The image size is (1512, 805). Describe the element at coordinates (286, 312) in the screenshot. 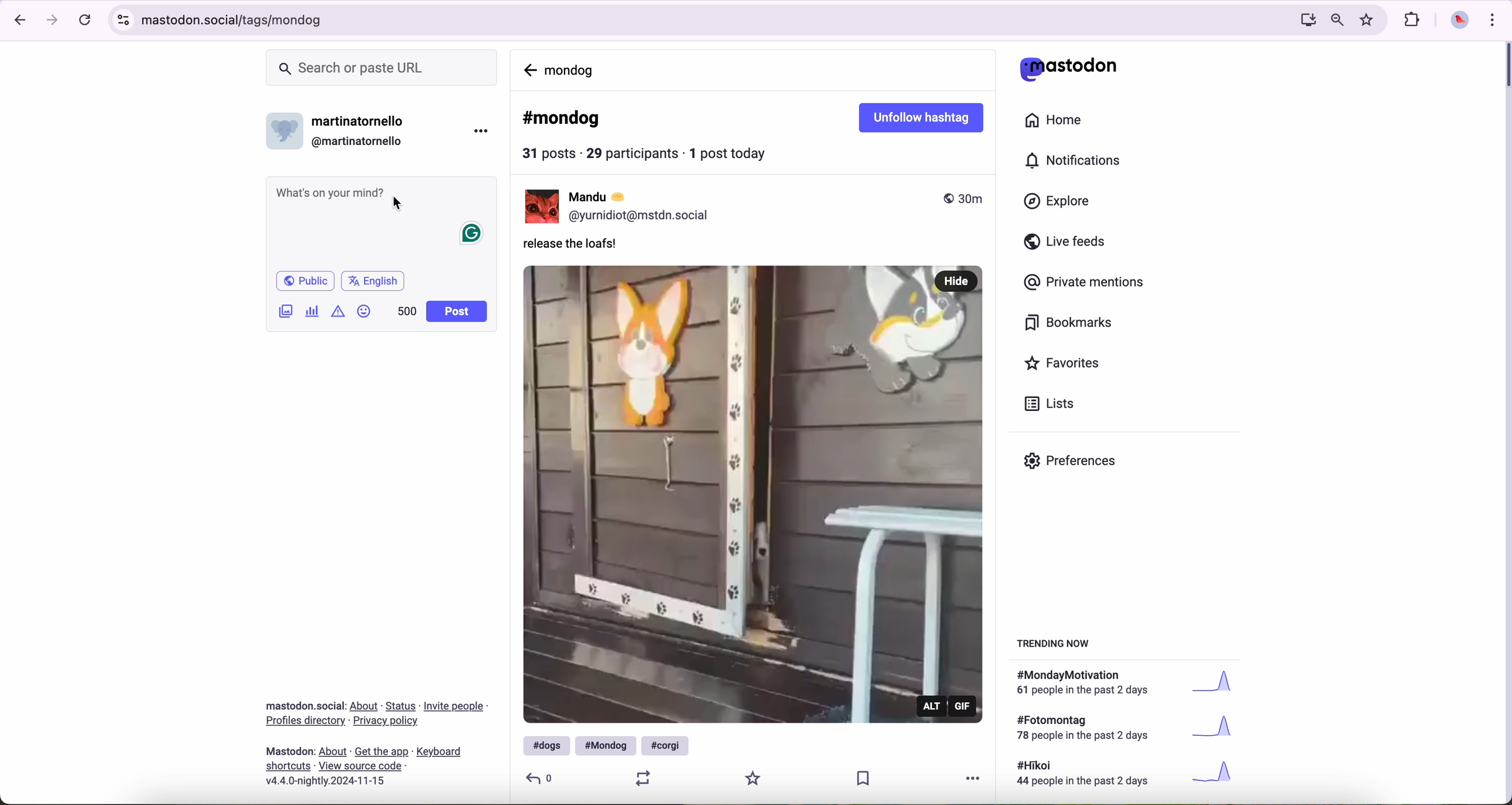

I see `images` at that location.